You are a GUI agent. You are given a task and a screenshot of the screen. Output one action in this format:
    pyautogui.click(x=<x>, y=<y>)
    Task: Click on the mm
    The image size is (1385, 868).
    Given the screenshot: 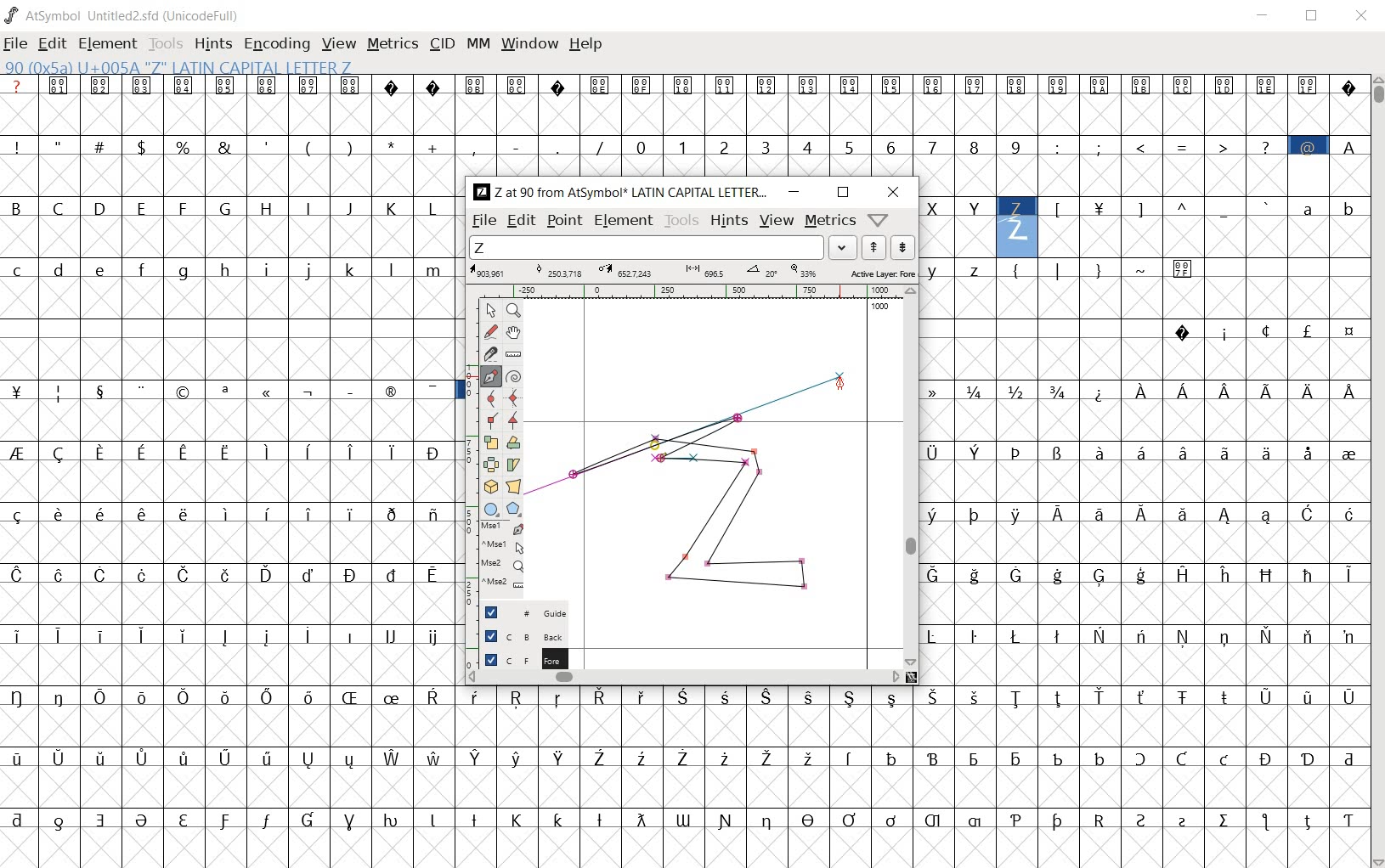 What is the action you would take?
    pyautogui.click(x=478, y=43)
    